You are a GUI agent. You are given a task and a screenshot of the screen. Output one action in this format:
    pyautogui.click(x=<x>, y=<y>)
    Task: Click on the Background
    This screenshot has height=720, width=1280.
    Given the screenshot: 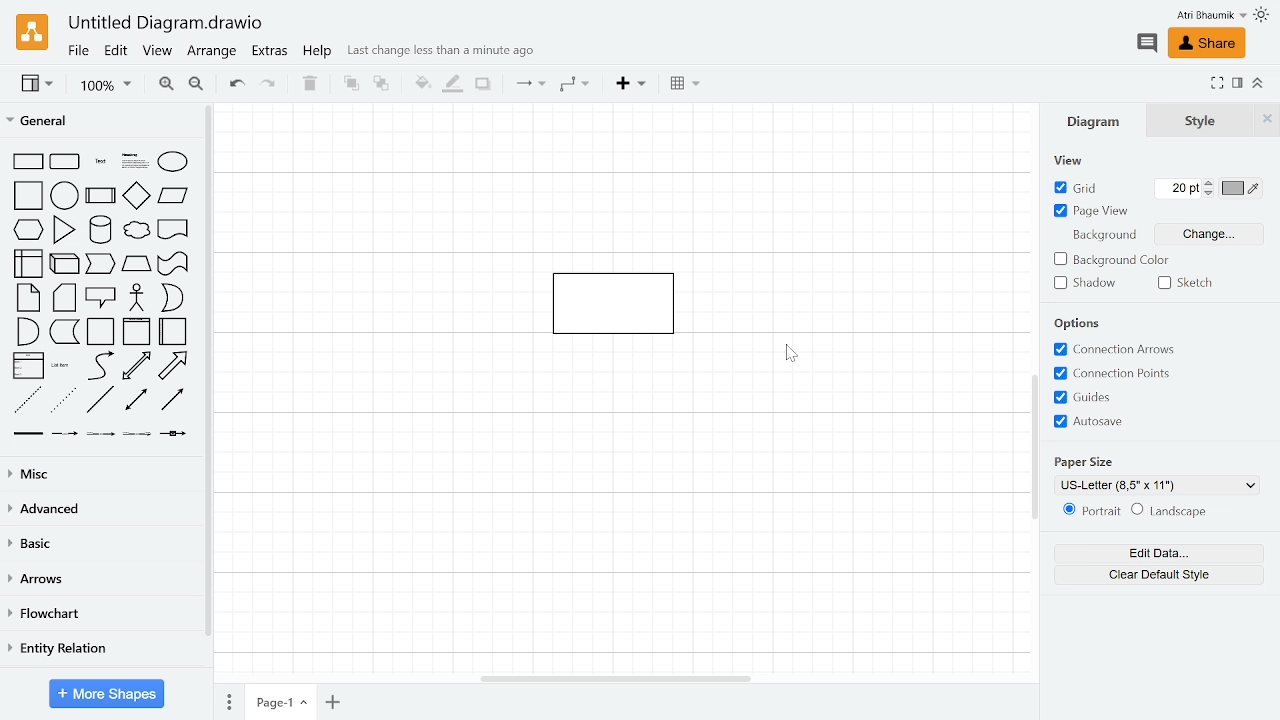 What is the action you would take?
    pyautogui.click(x=1103, y=236)
    